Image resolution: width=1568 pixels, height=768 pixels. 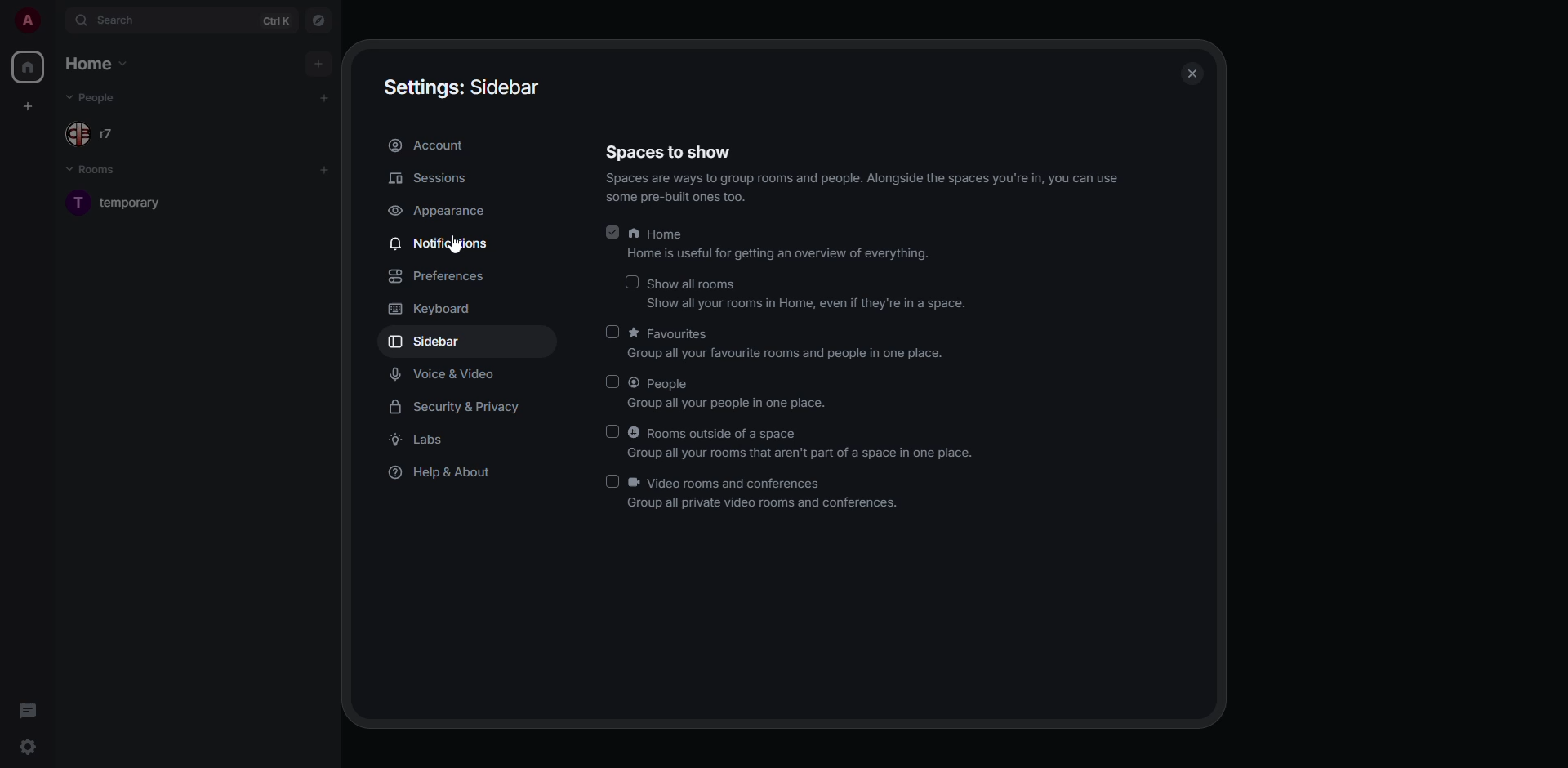 What do you see at coordinates (612, 380) in the screenshot?
I see `click to enable` at bounding box center [612, 380].